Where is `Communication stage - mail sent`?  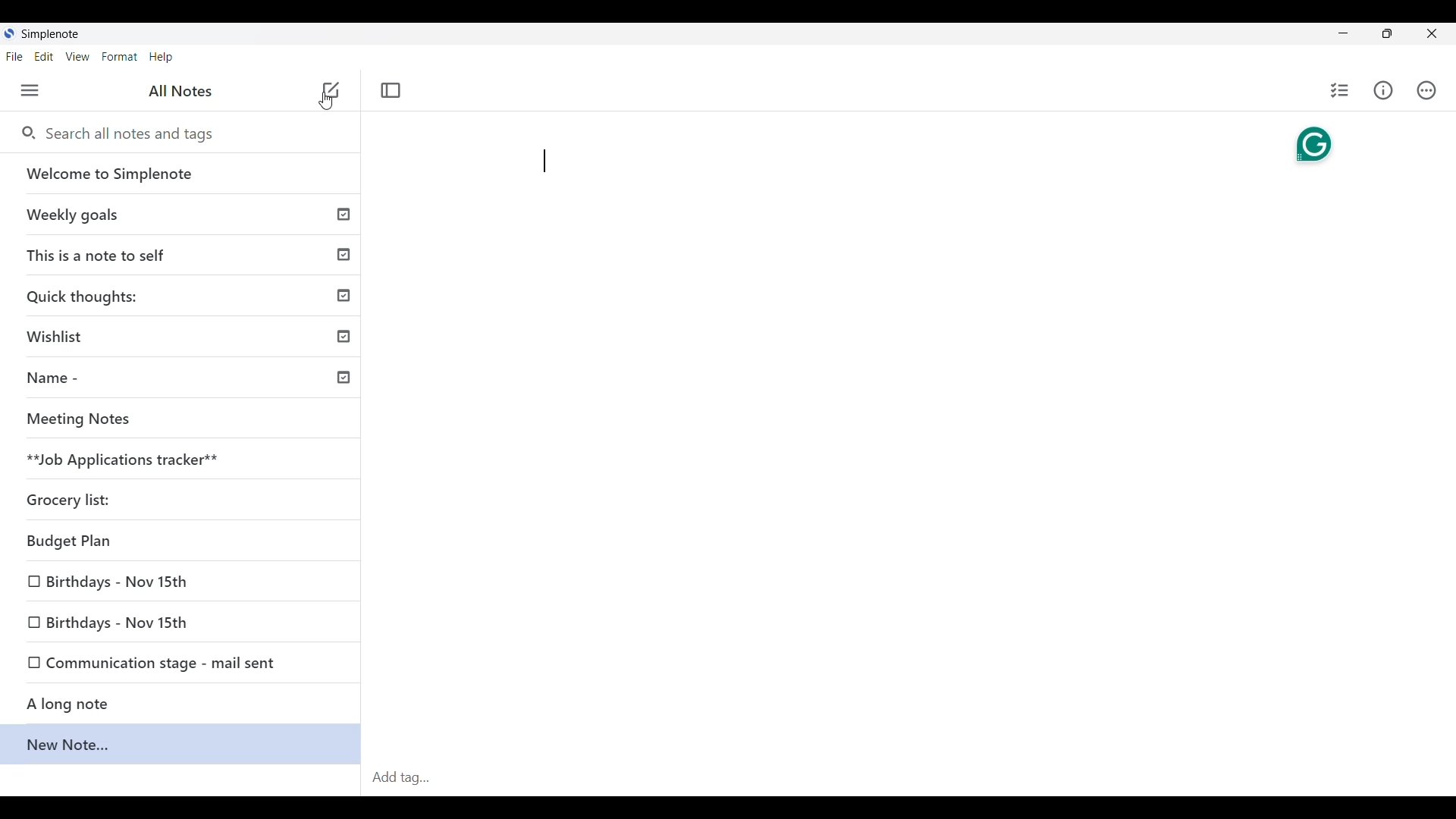 Communication stage - mail sent is located at coordinates (170, 661).